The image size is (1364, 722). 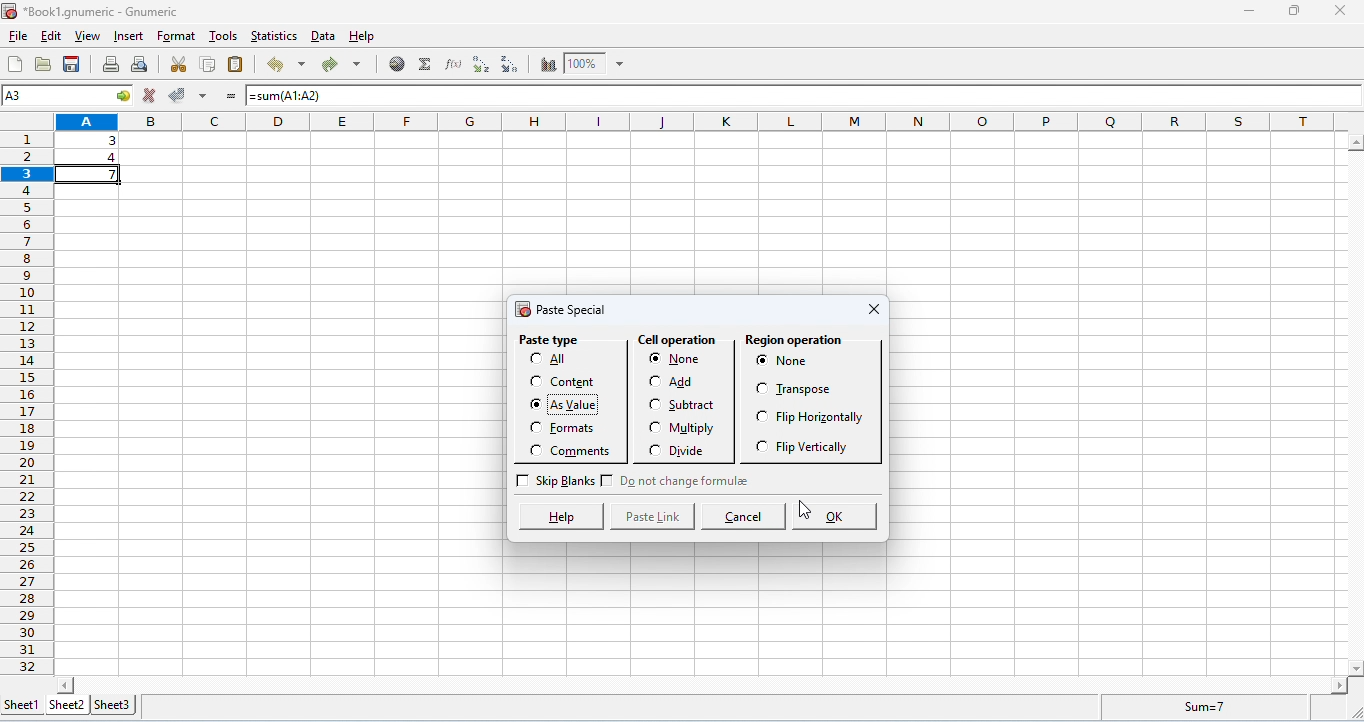 What do you see at coordinates (806, 392) in the screenshot?
I see `transpose` at bounding box center [806, 392].